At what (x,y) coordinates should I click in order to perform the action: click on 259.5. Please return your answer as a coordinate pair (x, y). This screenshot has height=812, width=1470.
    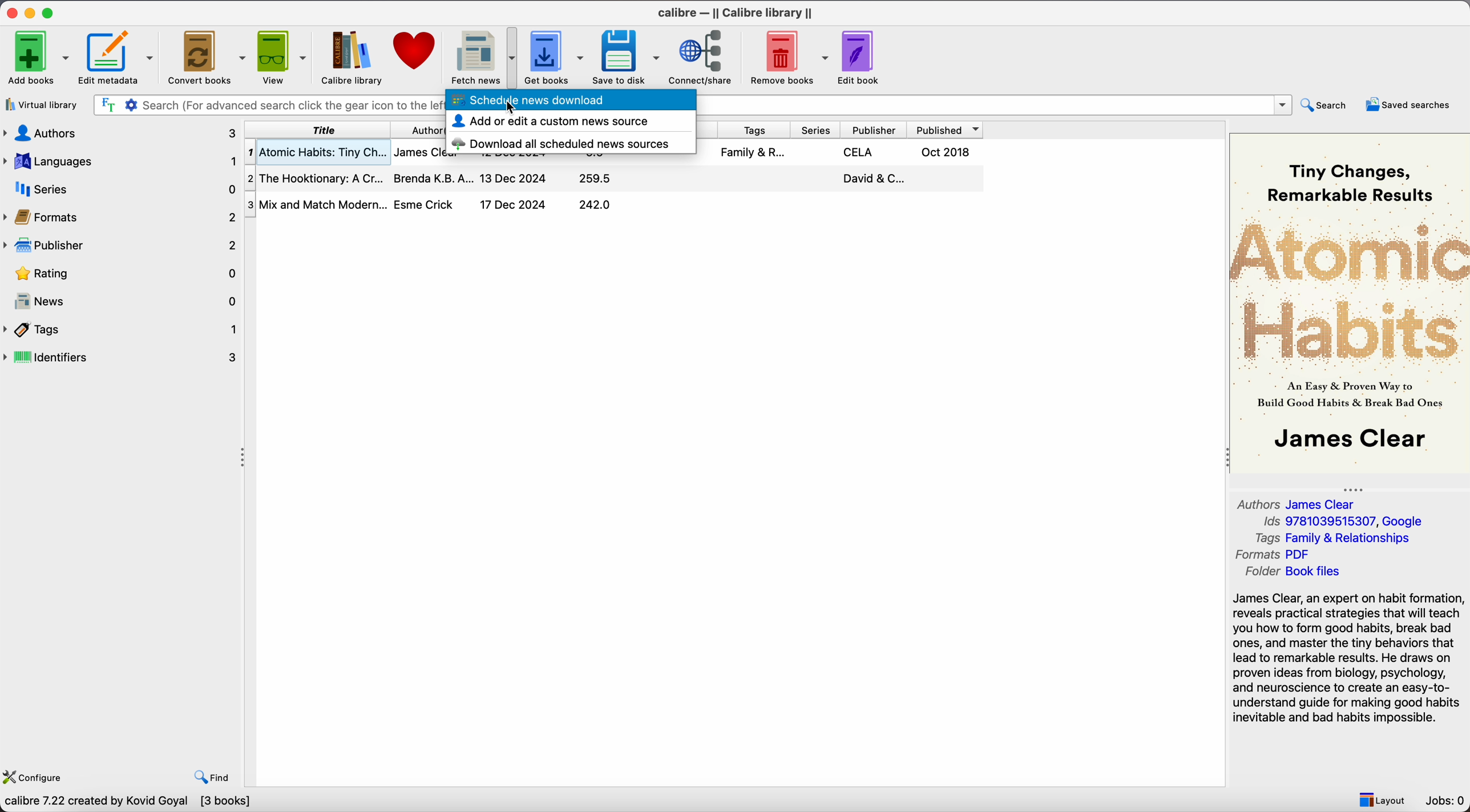
    Looking at the image, I should click on (595, 179).